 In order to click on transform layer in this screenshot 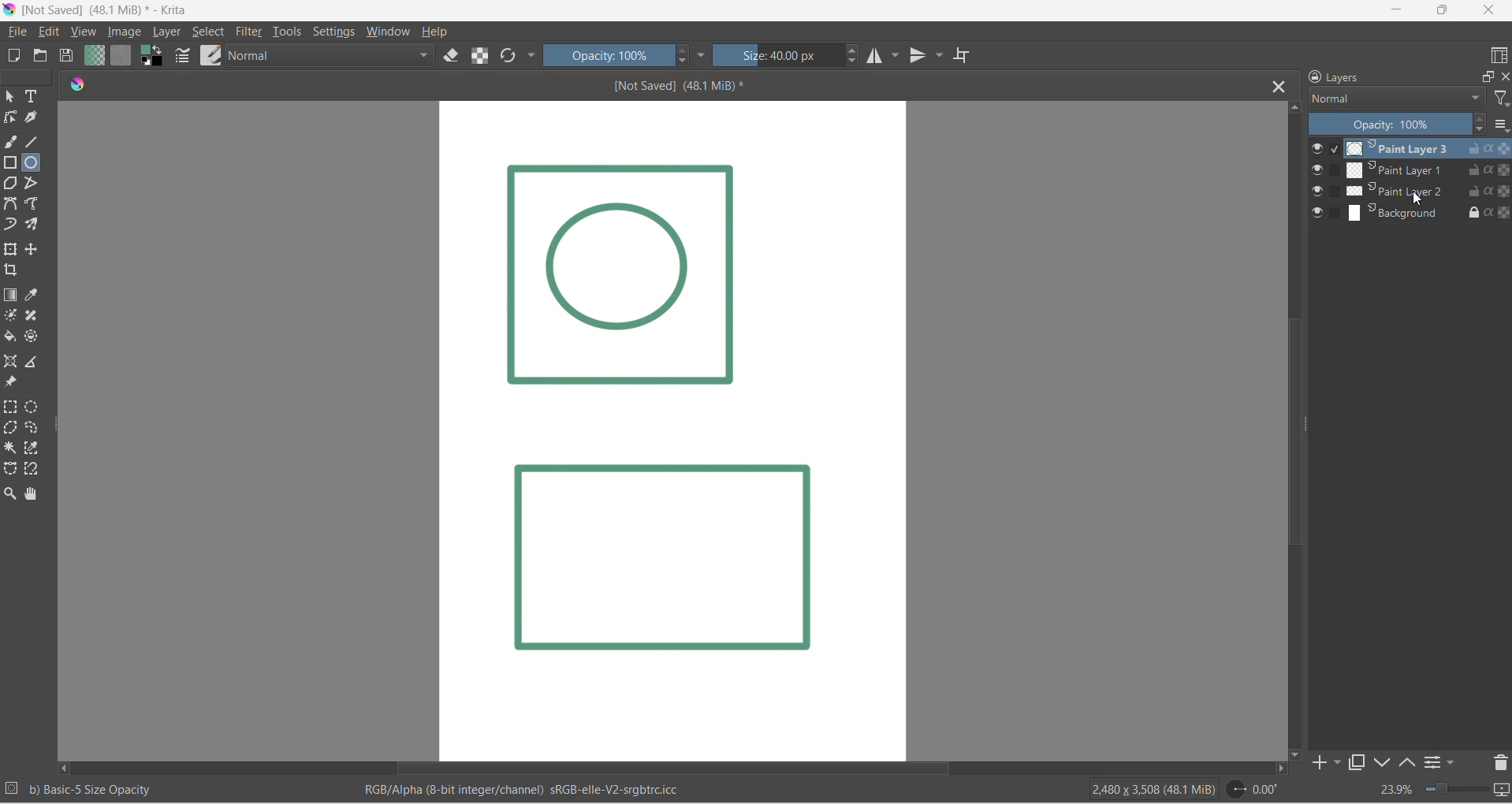, I will do `click(10, 248)`.